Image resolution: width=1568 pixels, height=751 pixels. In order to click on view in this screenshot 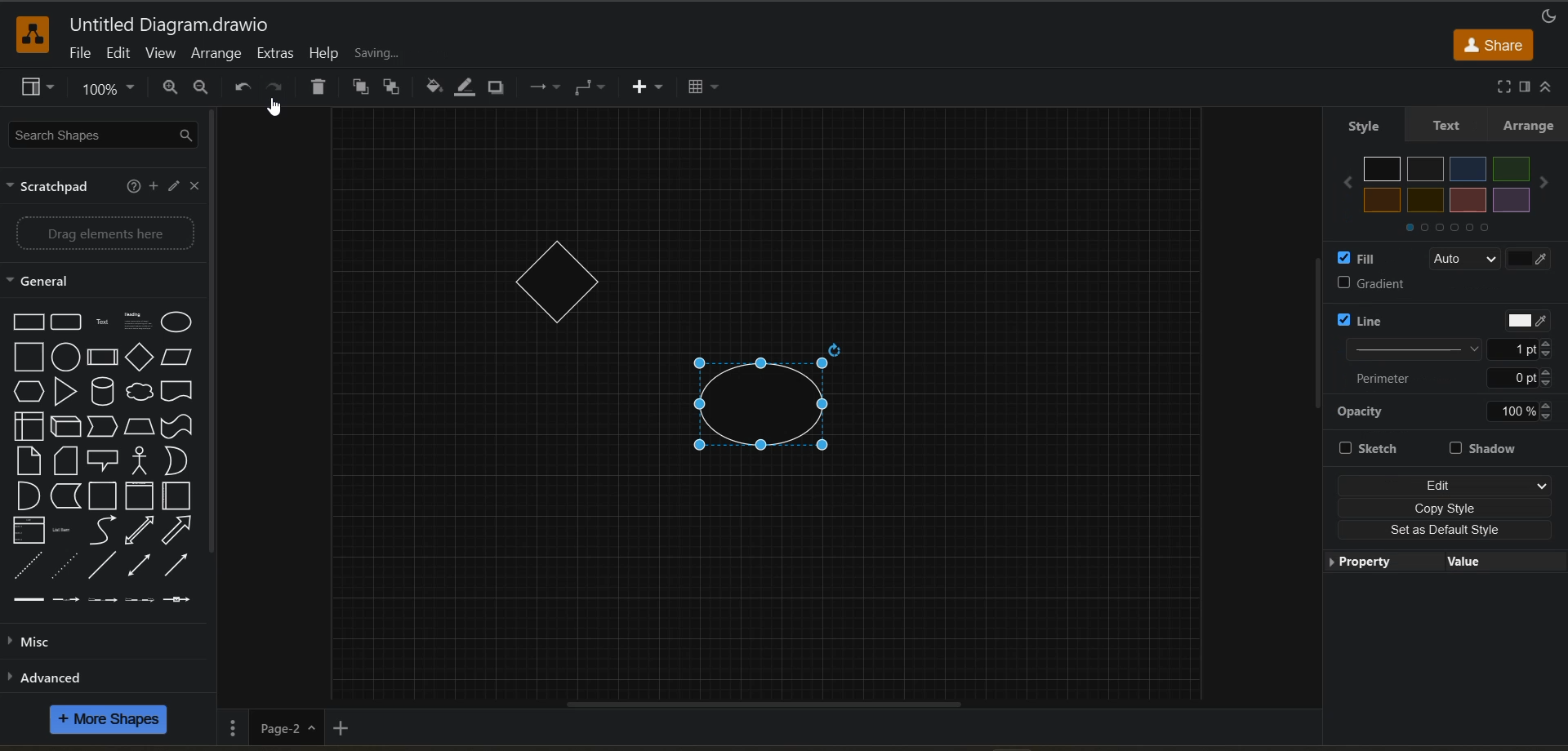, I will do `click(163, 56)`.